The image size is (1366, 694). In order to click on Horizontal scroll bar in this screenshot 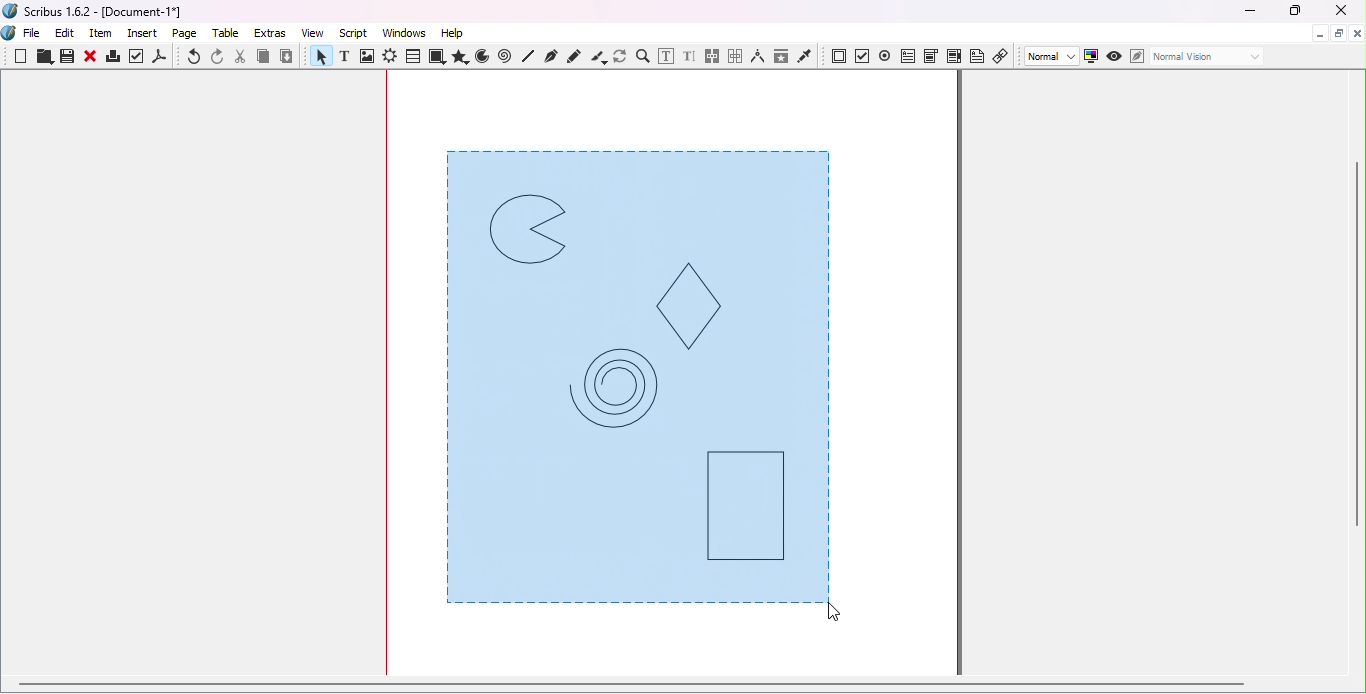, I will do `click(674, 687)`.